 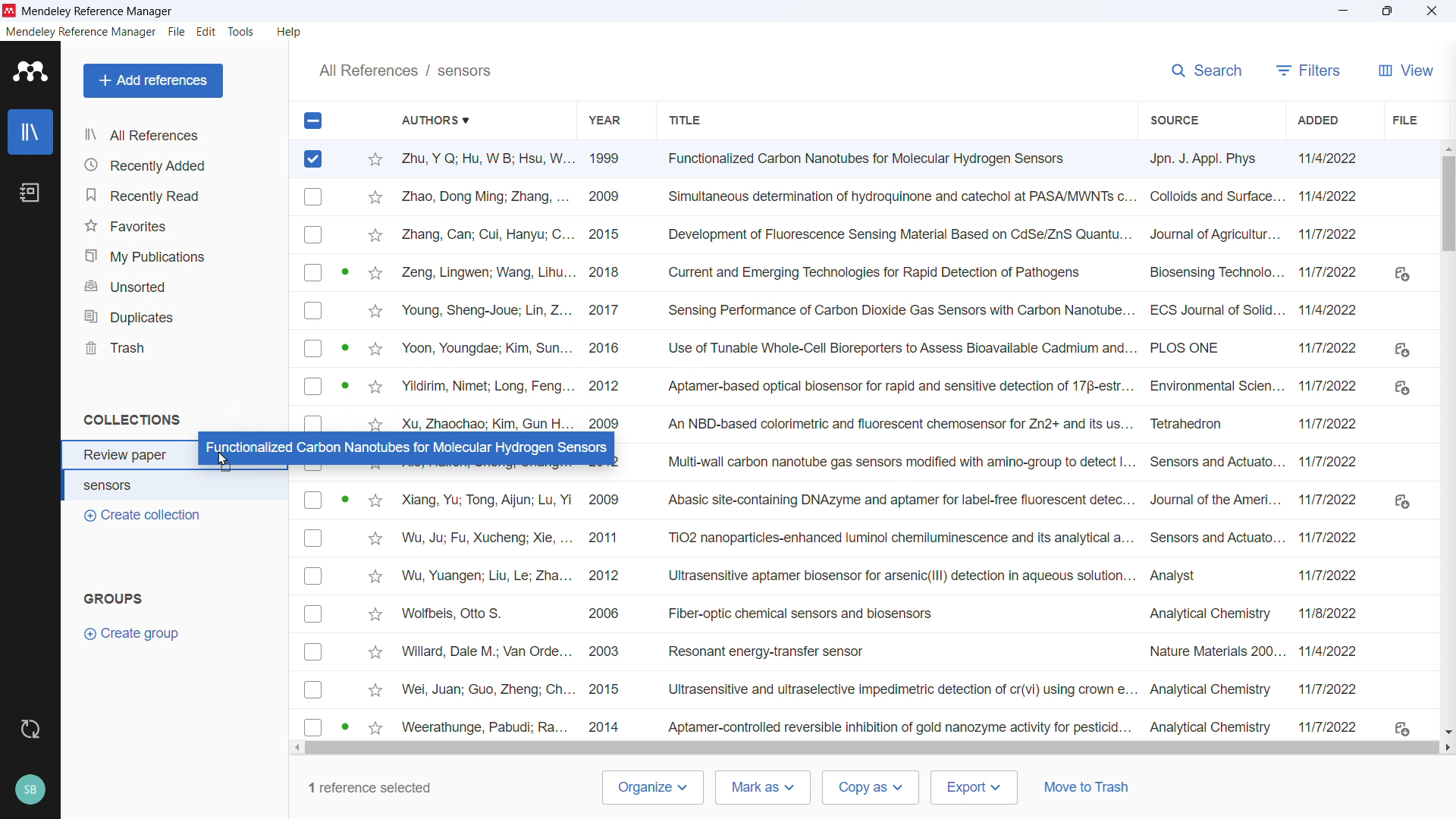 What do you see at coordinates (1447, 732) in the screenshot?
I see `Scroll down ` at bounding box center [1447, 732].